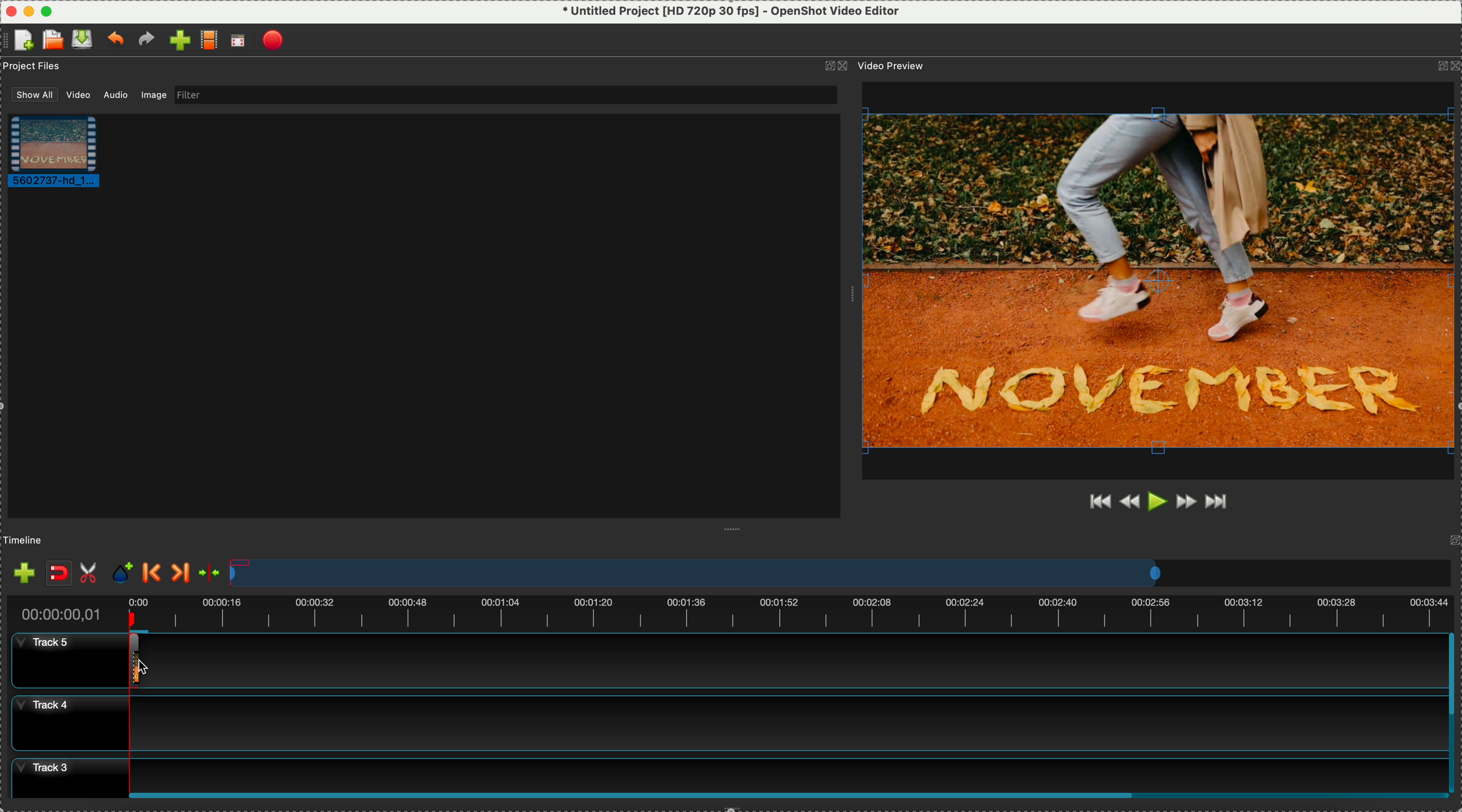 Image resolution: width=1462 pixels, height=812 pixels. What do you see at coordinates (788, 796) in the screenshot?
I see `Horizontal scroll bar` at bounding box center [788, 796].